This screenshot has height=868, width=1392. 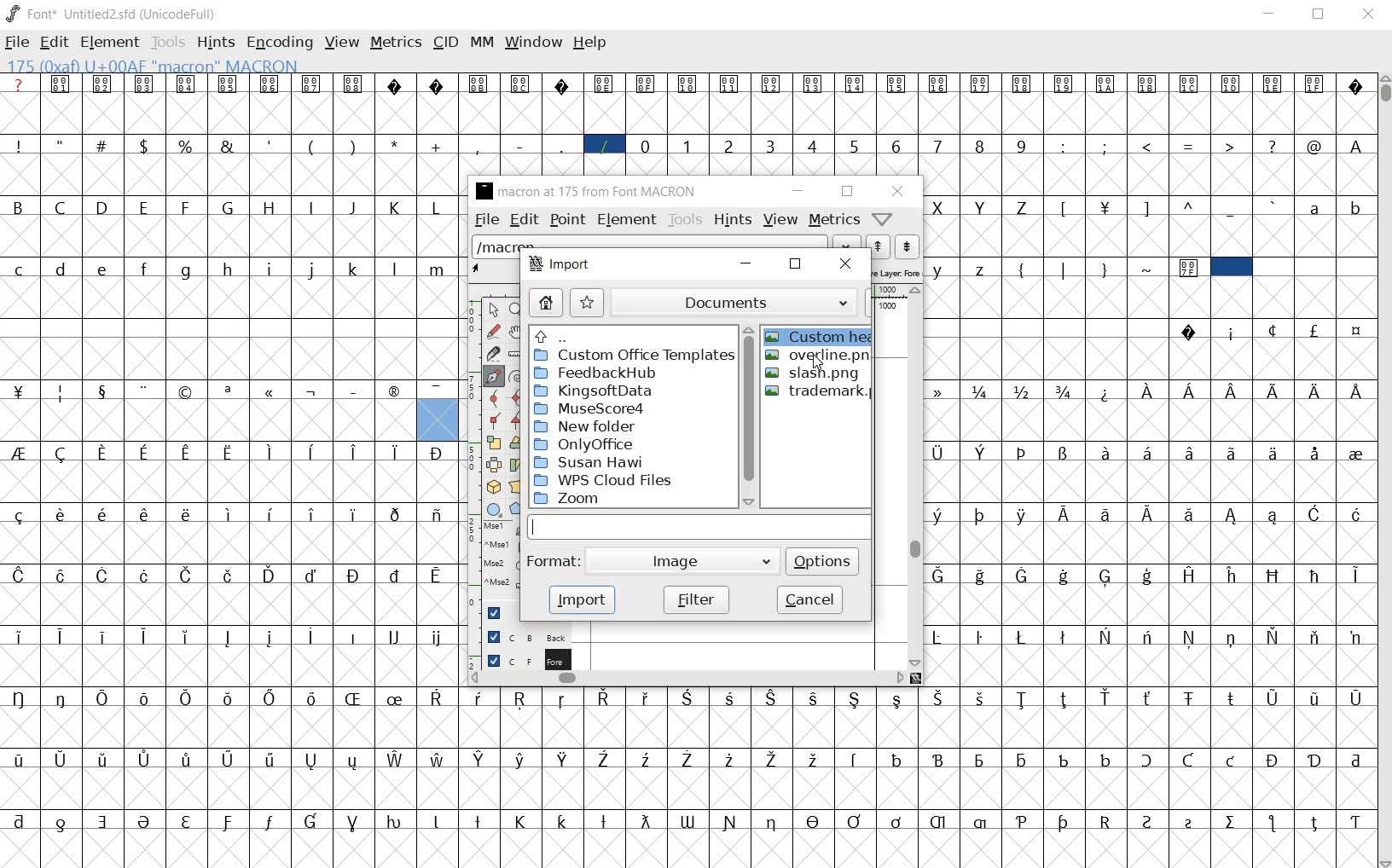 What do you see at coordinates (1314, 512) in the screenshot?
I see `Symbol` at bounding box center [1314, 512].